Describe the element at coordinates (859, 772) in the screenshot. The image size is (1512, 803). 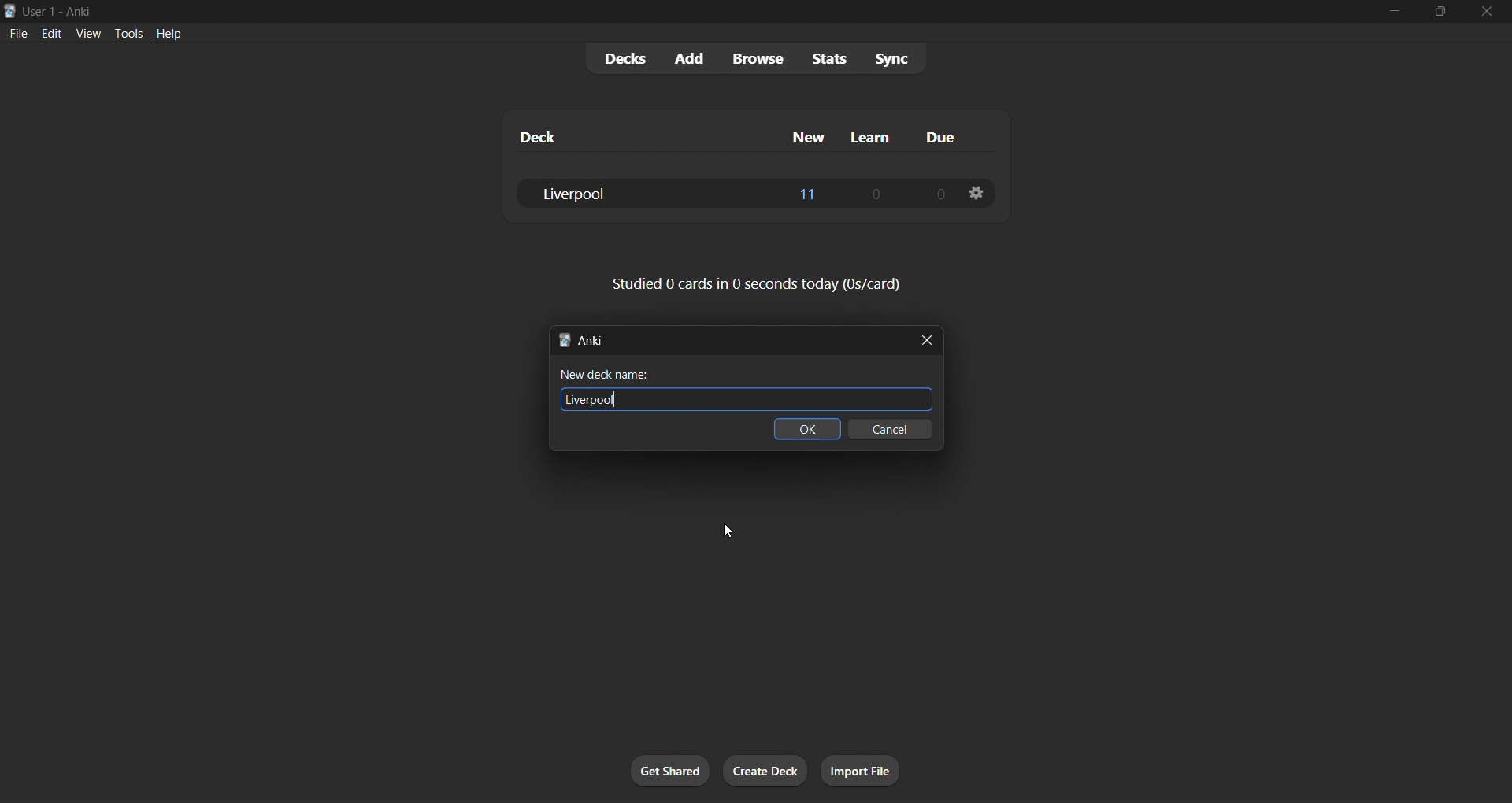
I see `import file` at that location.